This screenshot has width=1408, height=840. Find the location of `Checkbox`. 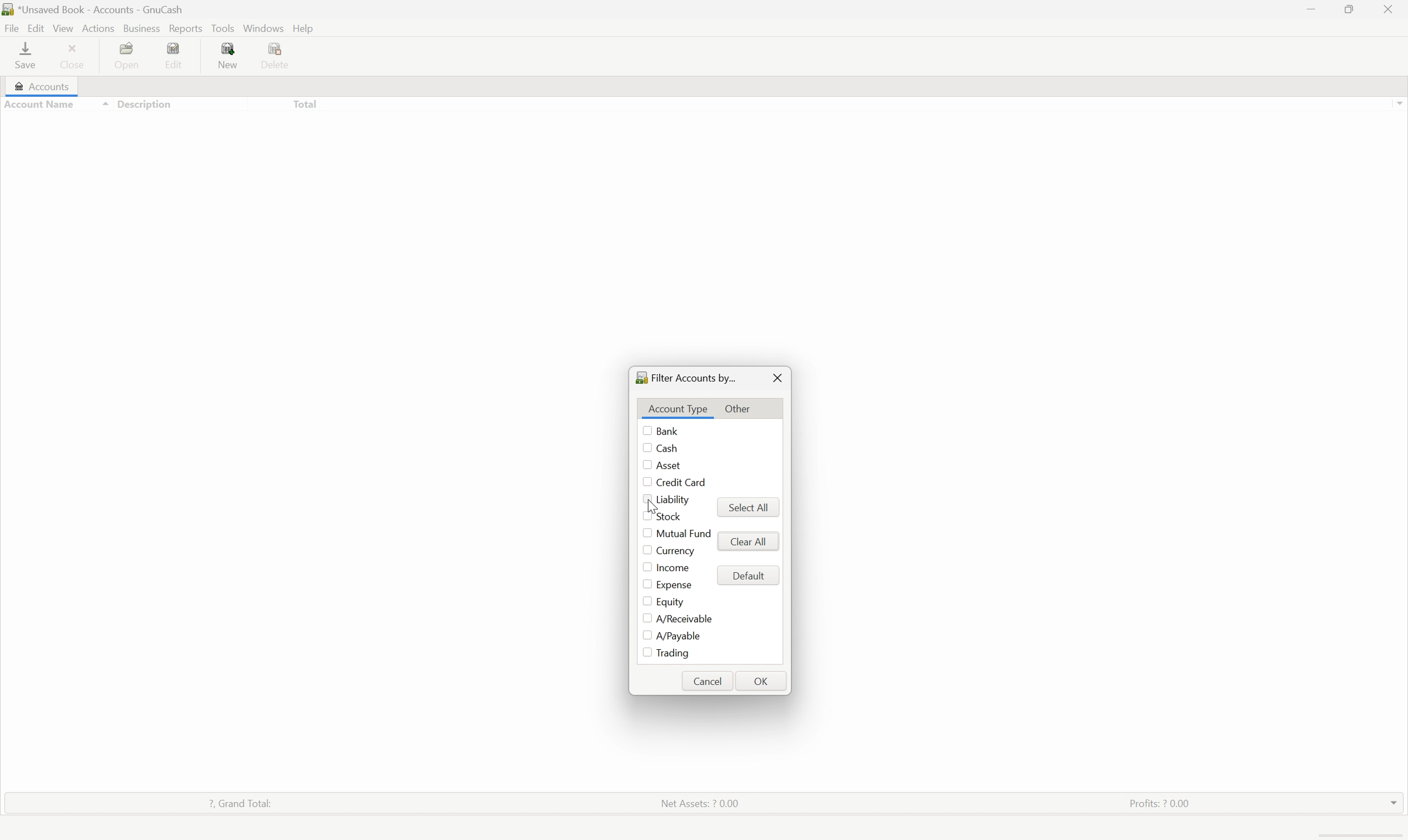

Checkbox is located at coordinates (643, 601).